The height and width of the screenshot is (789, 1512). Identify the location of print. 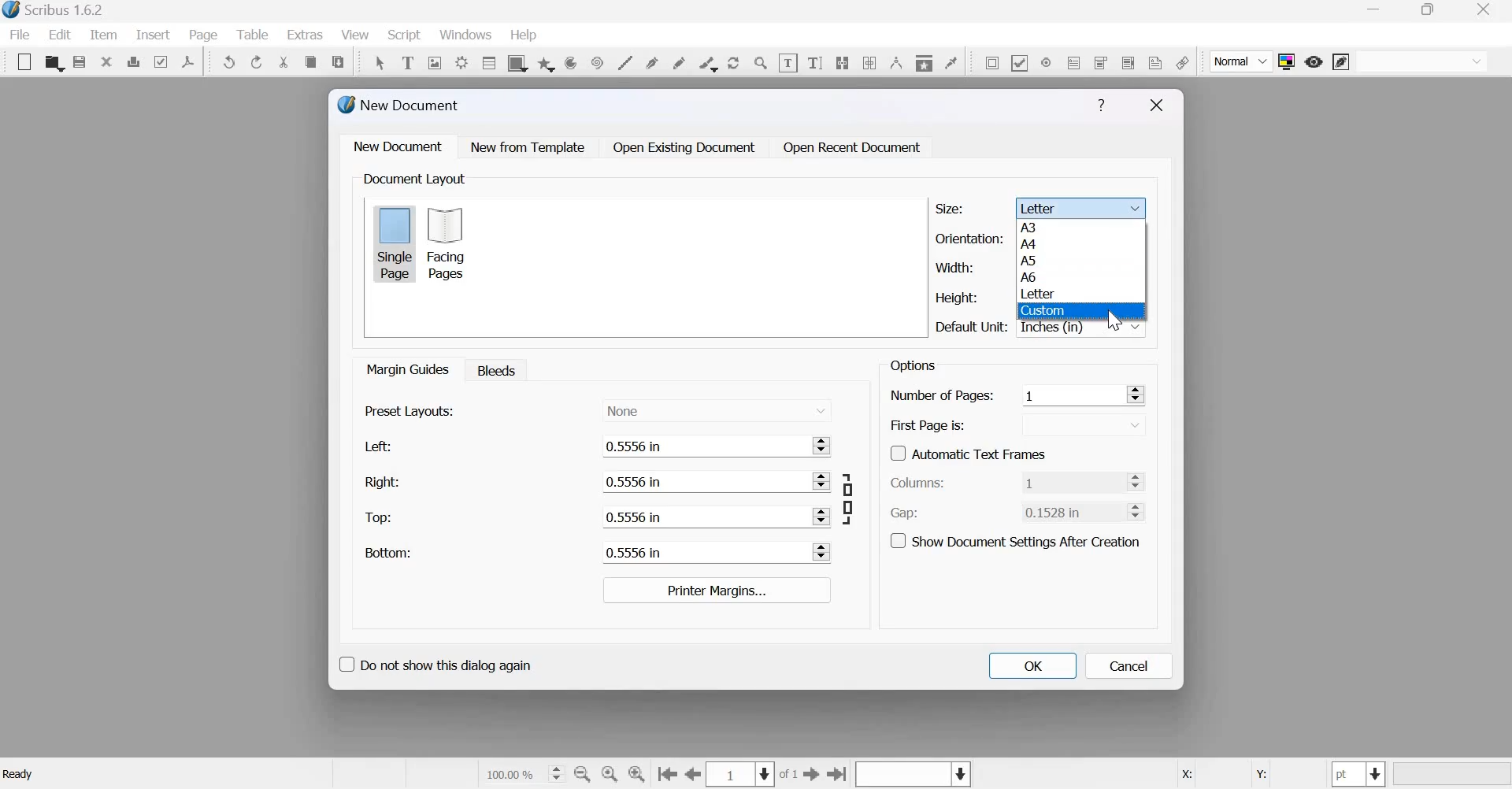
(133, 61).